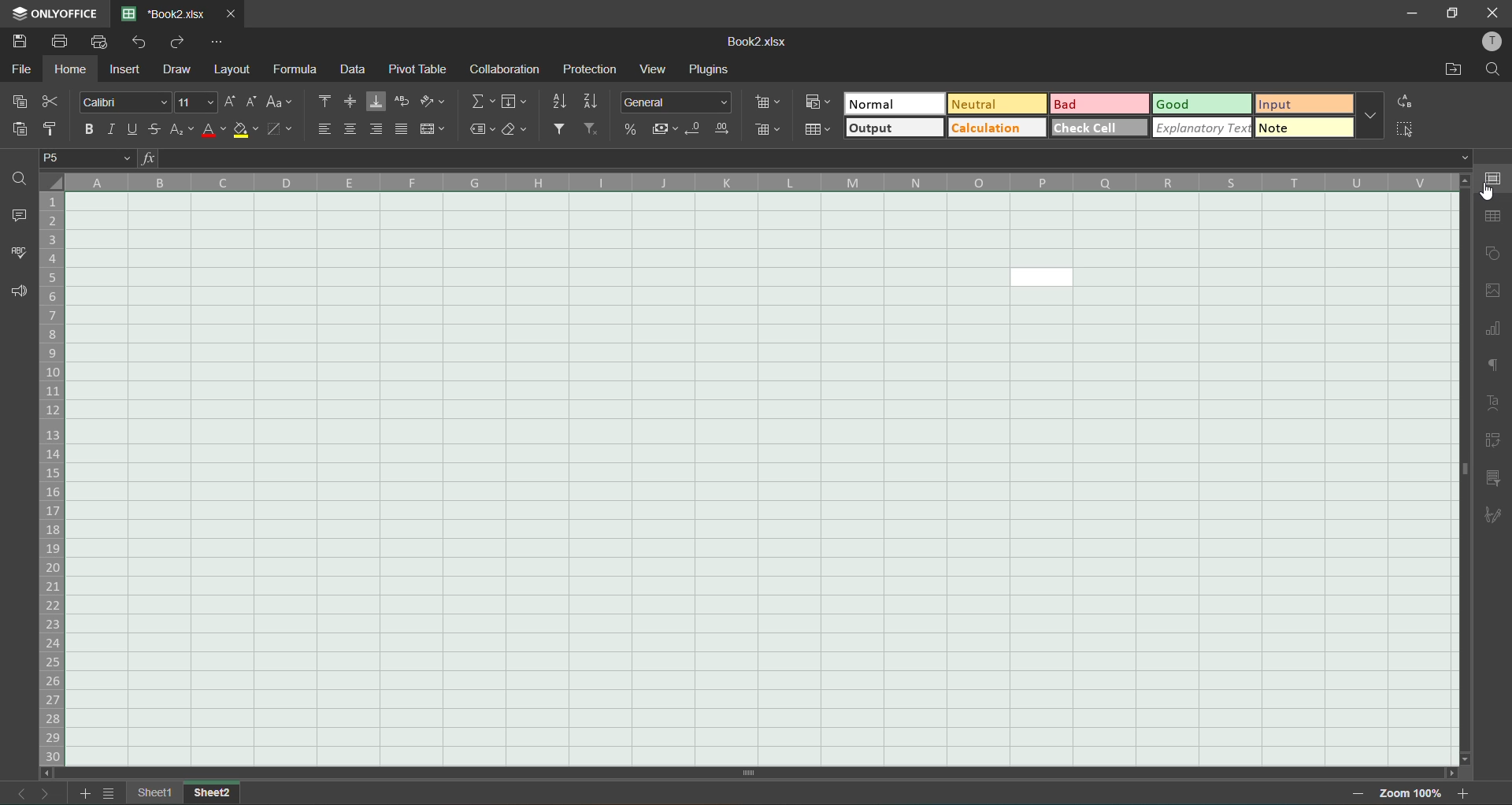 Image resolution: width=1512 pixels, height=805 pixels. I want to click on home, so click(75, 72).